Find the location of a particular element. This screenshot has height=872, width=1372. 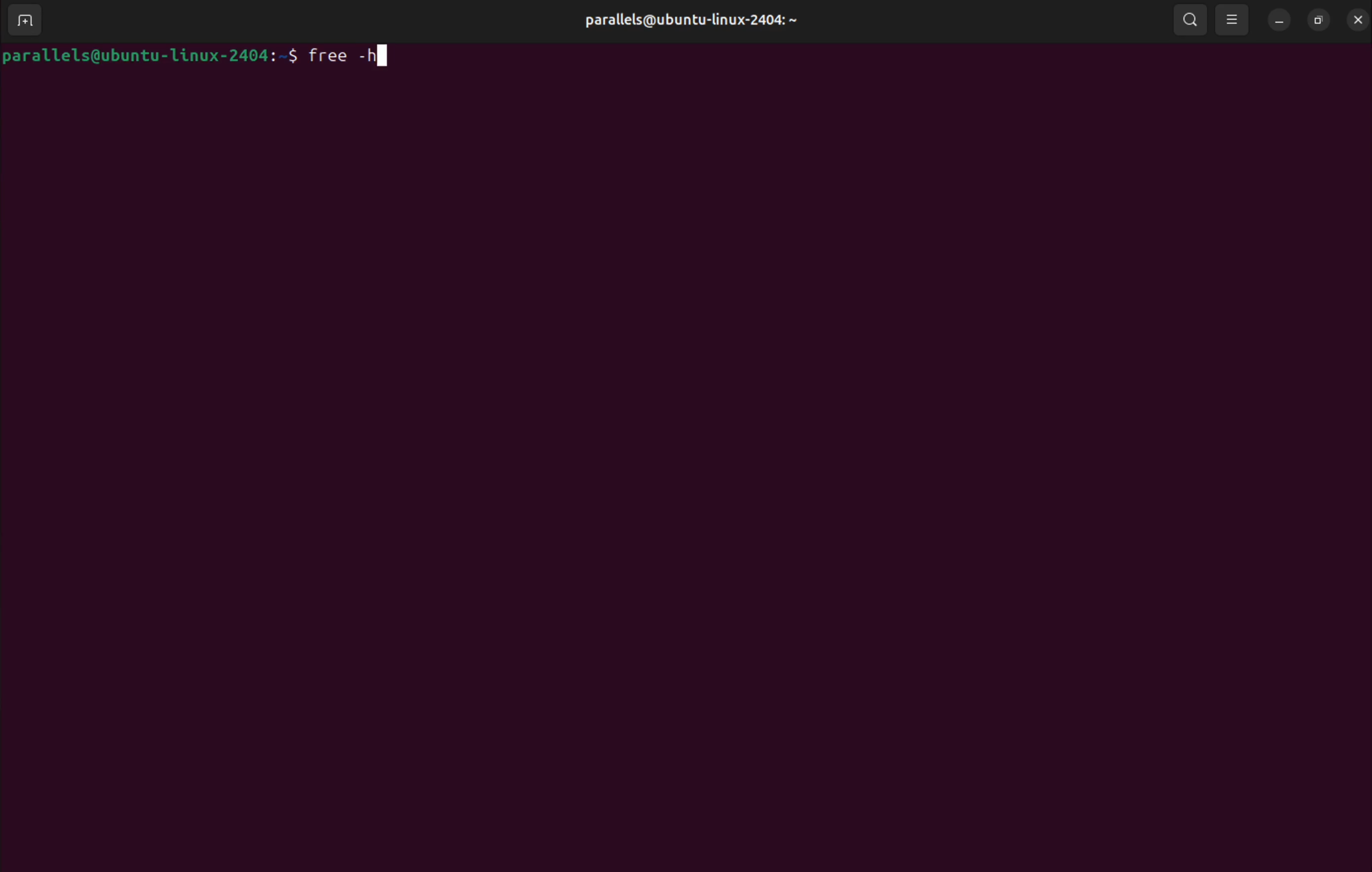

close is located at coordinates (1355, 19).